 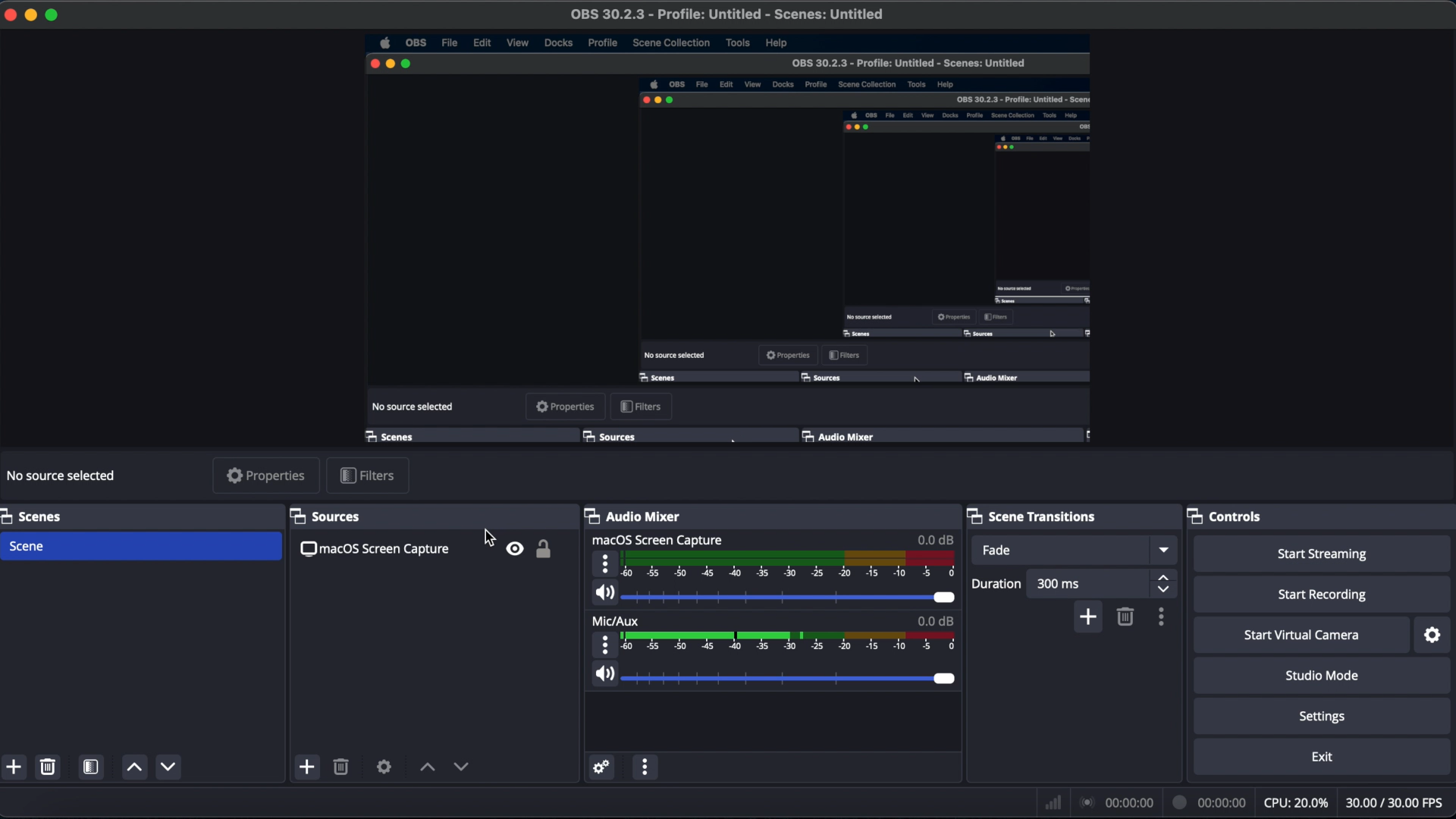 I want to click on recording elapsed time, so click(x=1210, y=802).